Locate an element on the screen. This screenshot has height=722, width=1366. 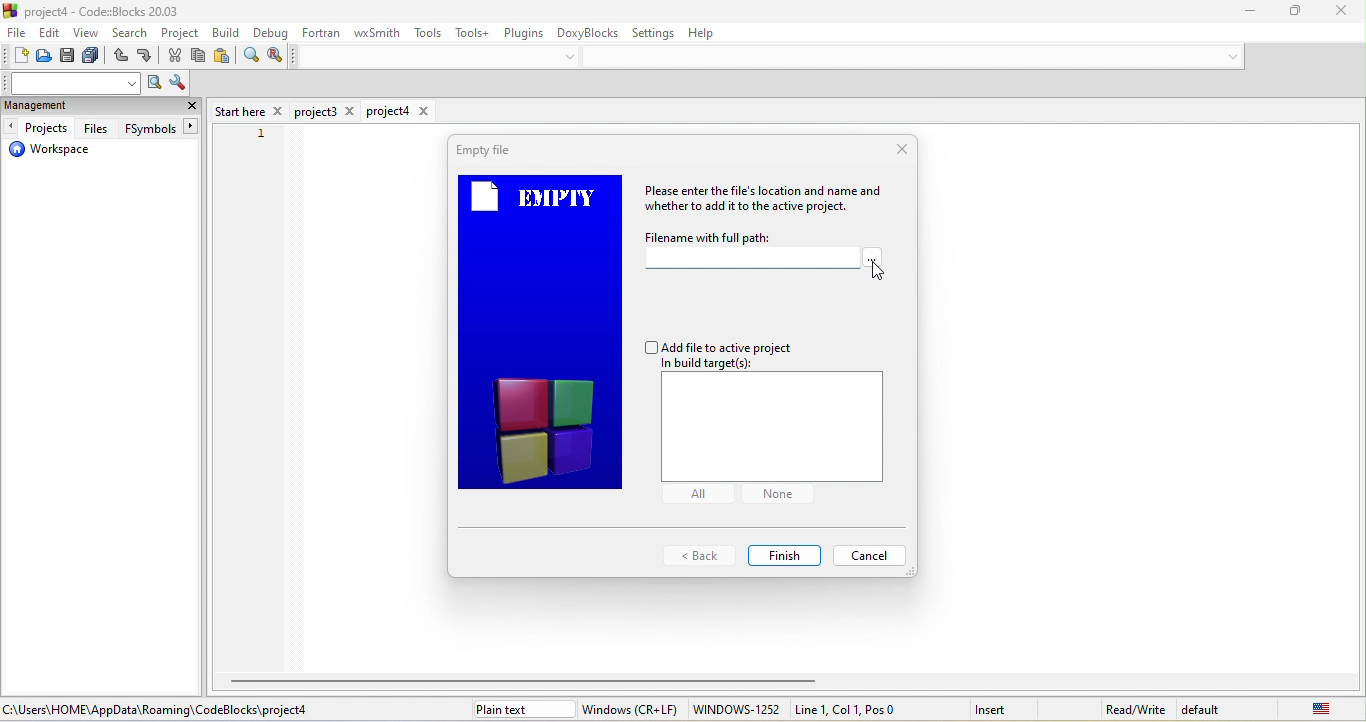
files is located at coordinates (96, 128).